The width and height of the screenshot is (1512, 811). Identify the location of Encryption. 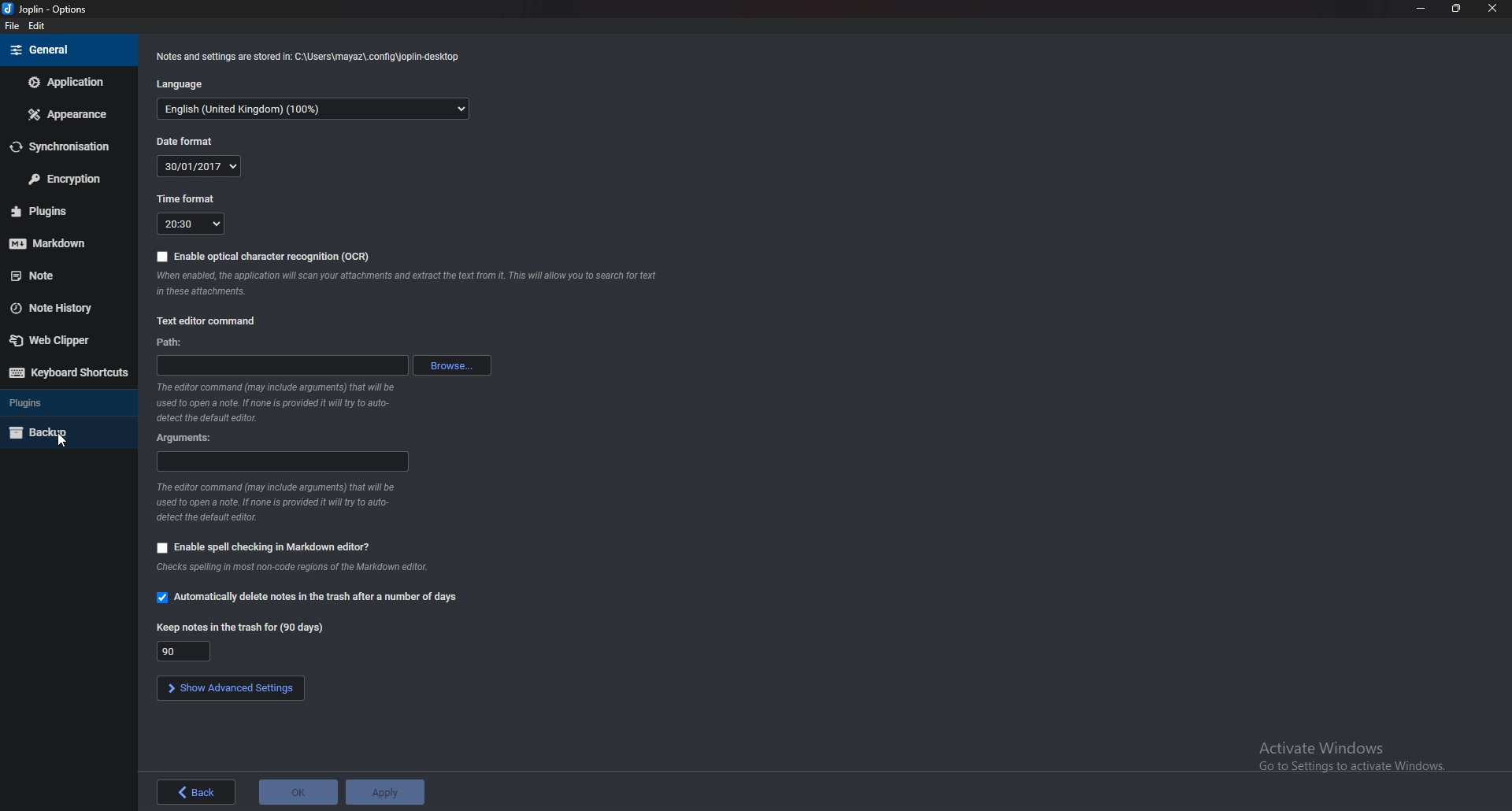
(65, 178).